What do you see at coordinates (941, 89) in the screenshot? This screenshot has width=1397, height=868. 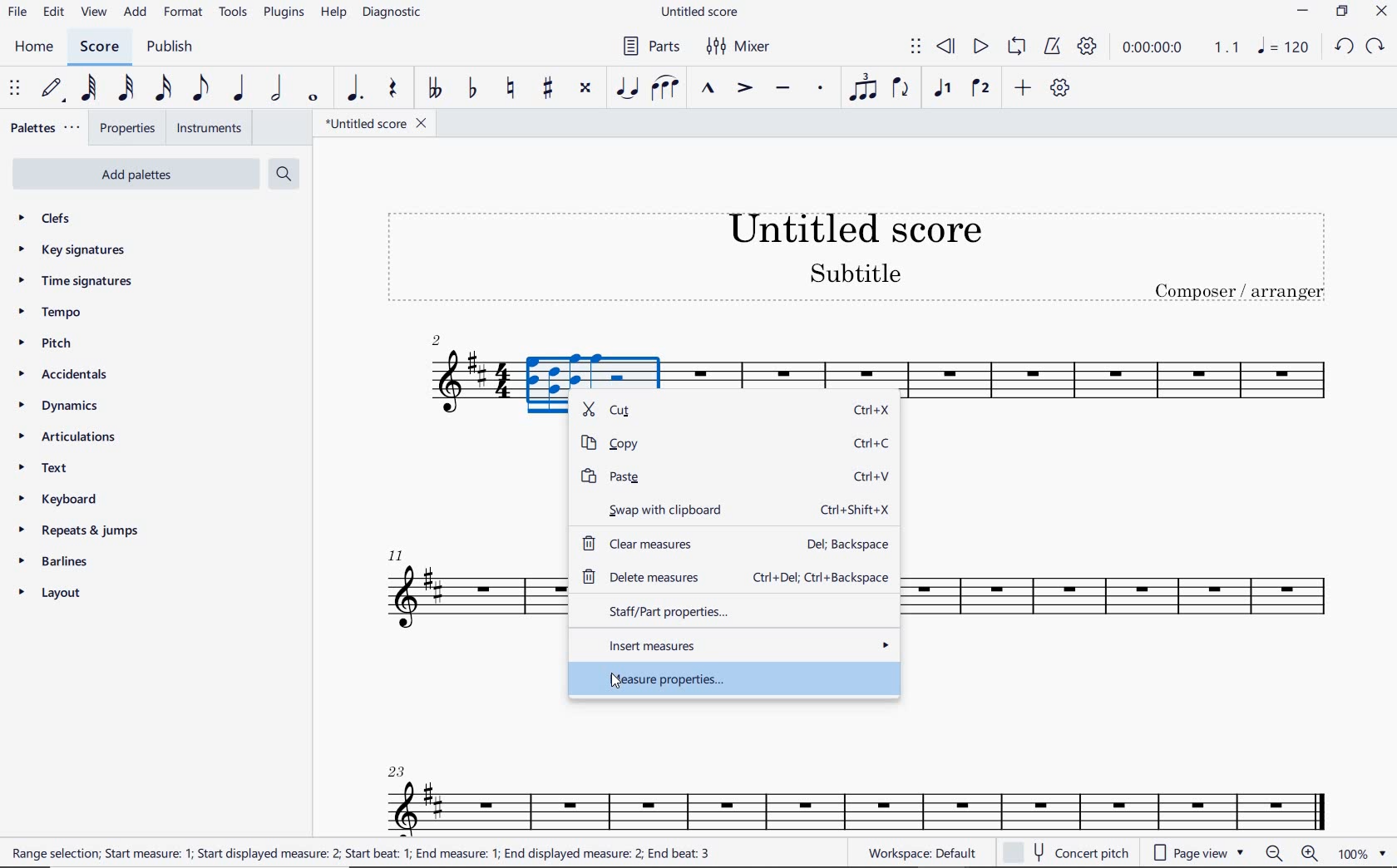 I see `VOICE 1` at bounding box center [941, 89].